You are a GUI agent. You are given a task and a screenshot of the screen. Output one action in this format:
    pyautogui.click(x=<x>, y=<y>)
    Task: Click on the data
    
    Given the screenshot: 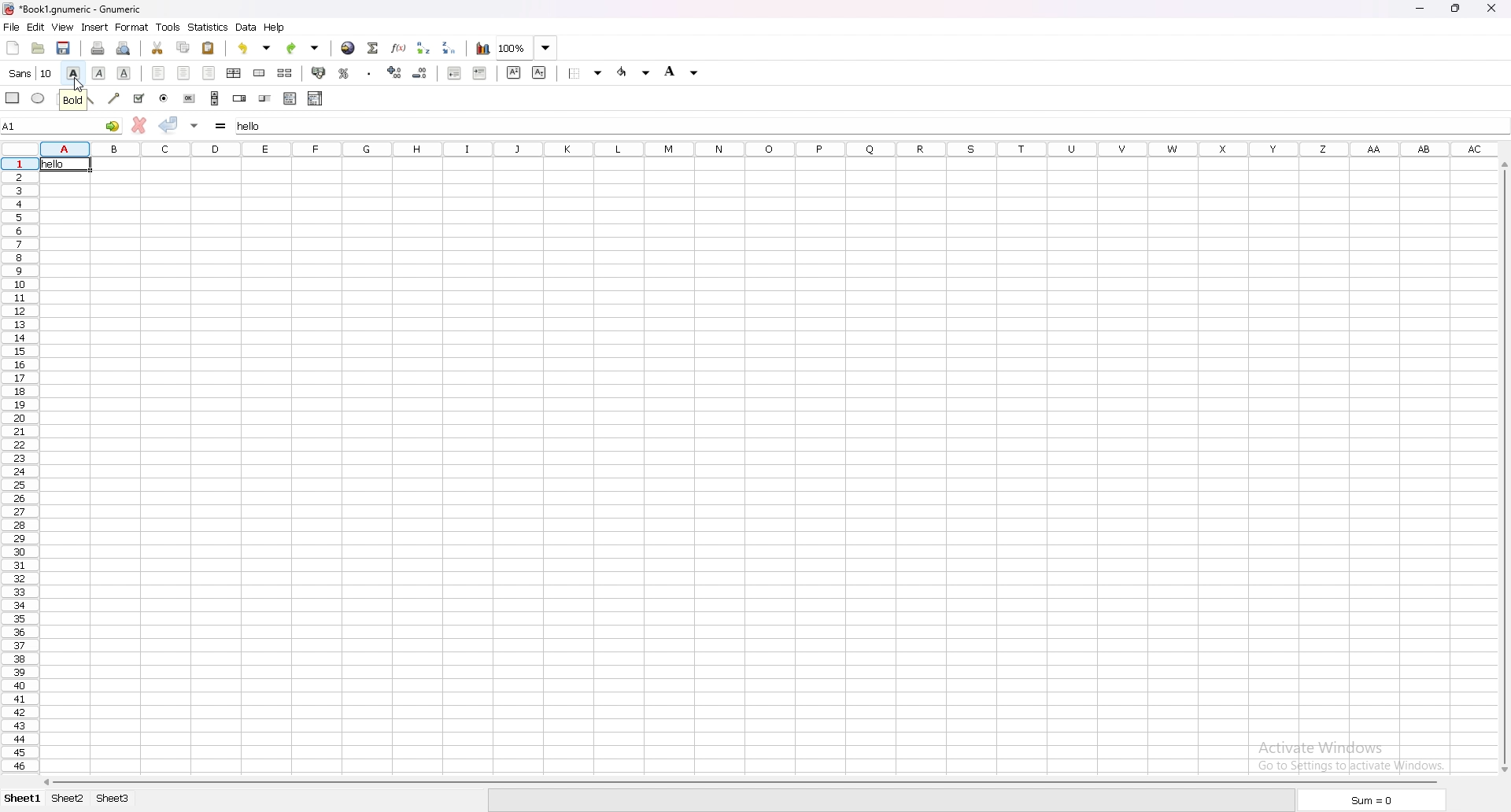 What is the action you would take?
    pyautogui.click(x=247, y=27)
    